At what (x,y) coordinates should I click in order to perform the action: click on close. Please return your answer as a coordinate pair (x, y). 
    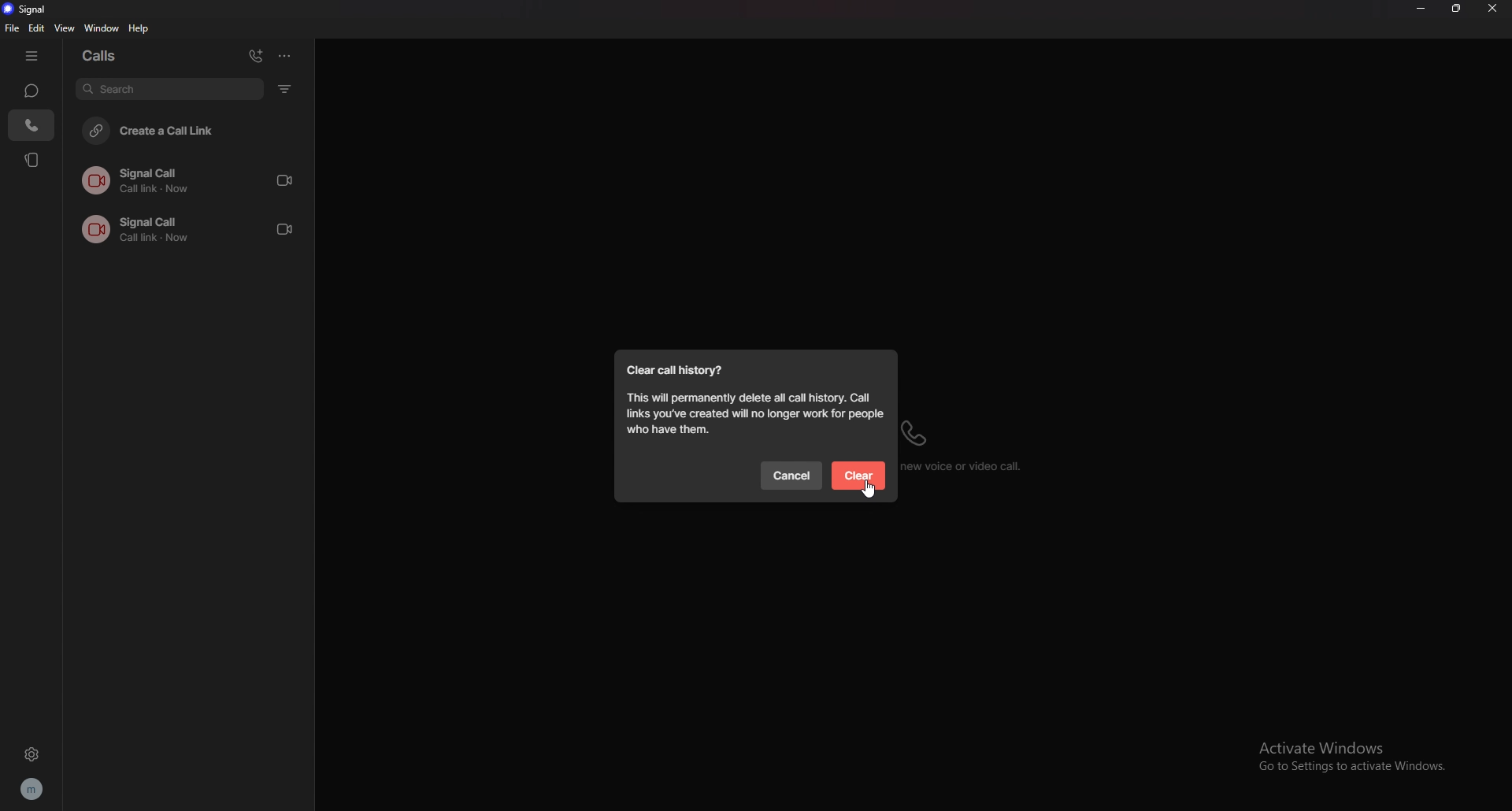
    Looking at the image, I should click on (1494, 9).